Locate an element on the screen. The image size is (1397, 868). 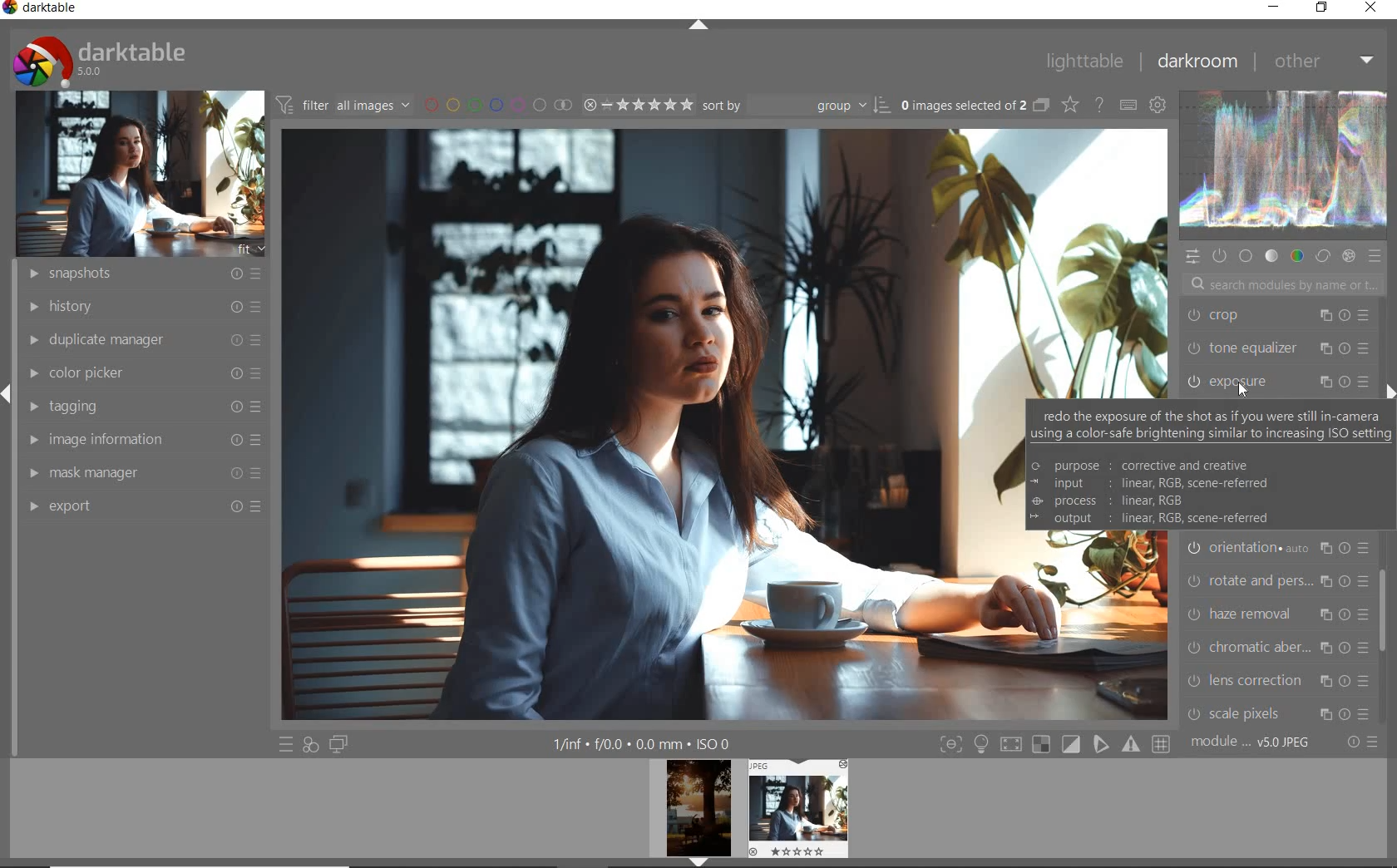
CHANGE TYPE OF OVERRELAY is located at coordinates (1069, 104).